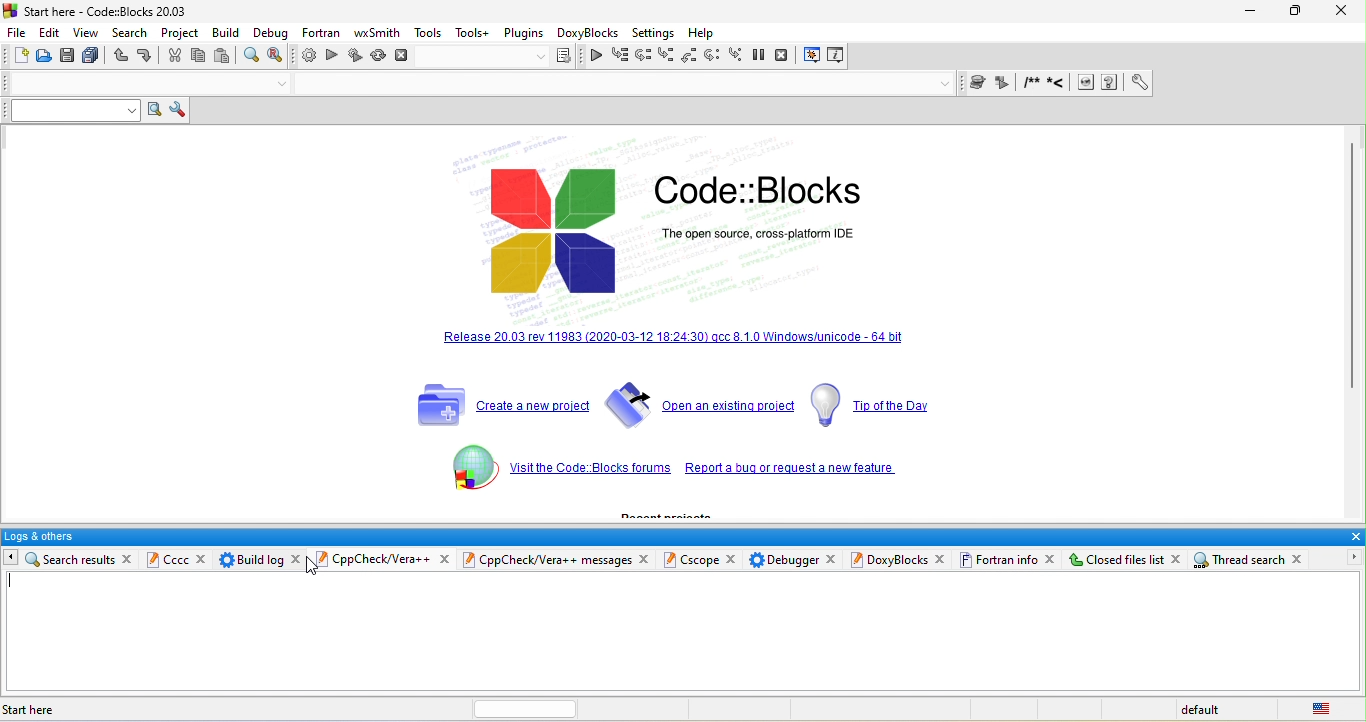 The width and height of the screenshot is (1366, 722). I want to click on text to search, so click(68, 110).